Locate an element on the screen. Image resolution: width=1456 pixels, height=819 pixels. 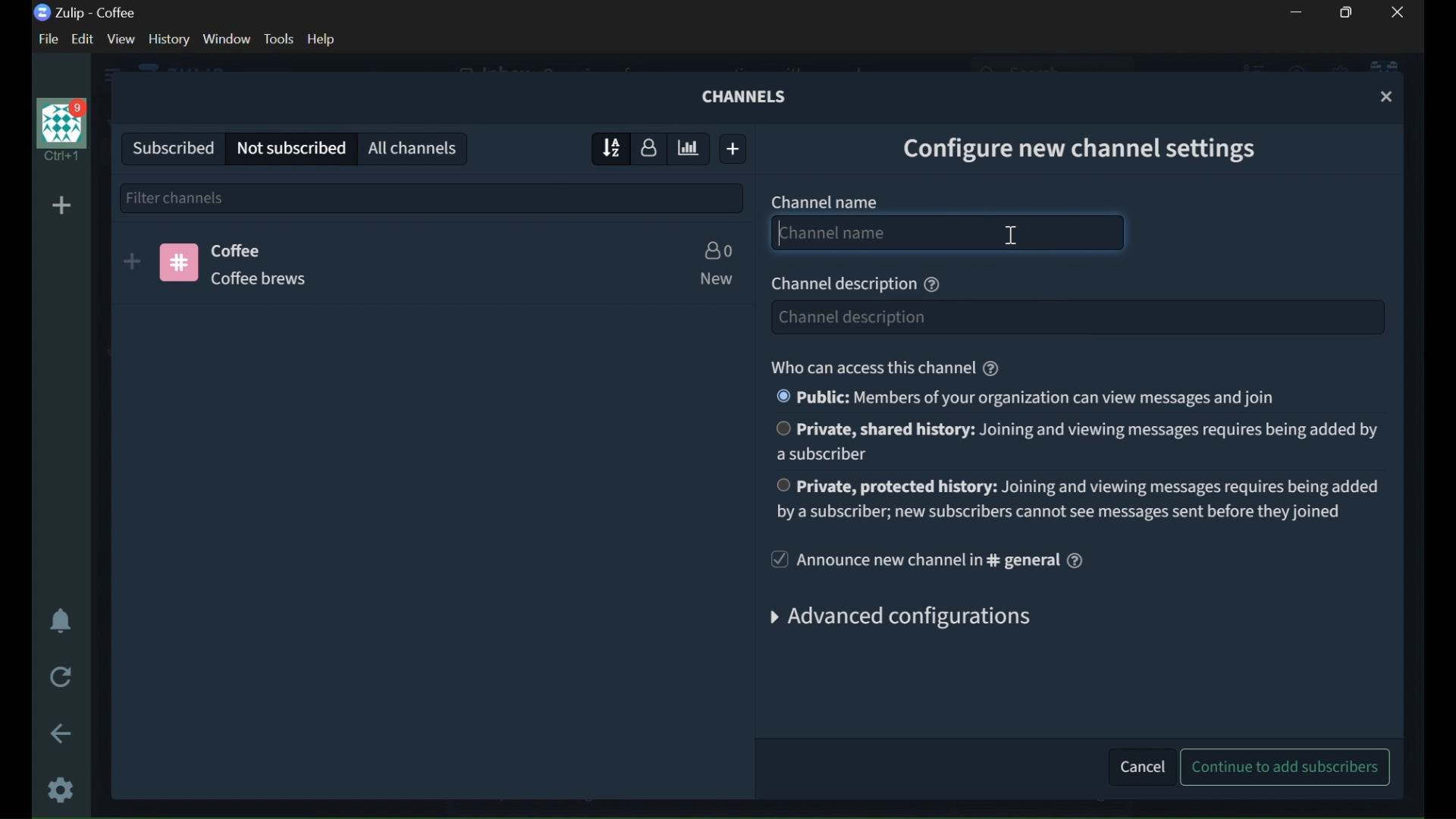
SORT BY NAME is located at coordinates (606, 148).